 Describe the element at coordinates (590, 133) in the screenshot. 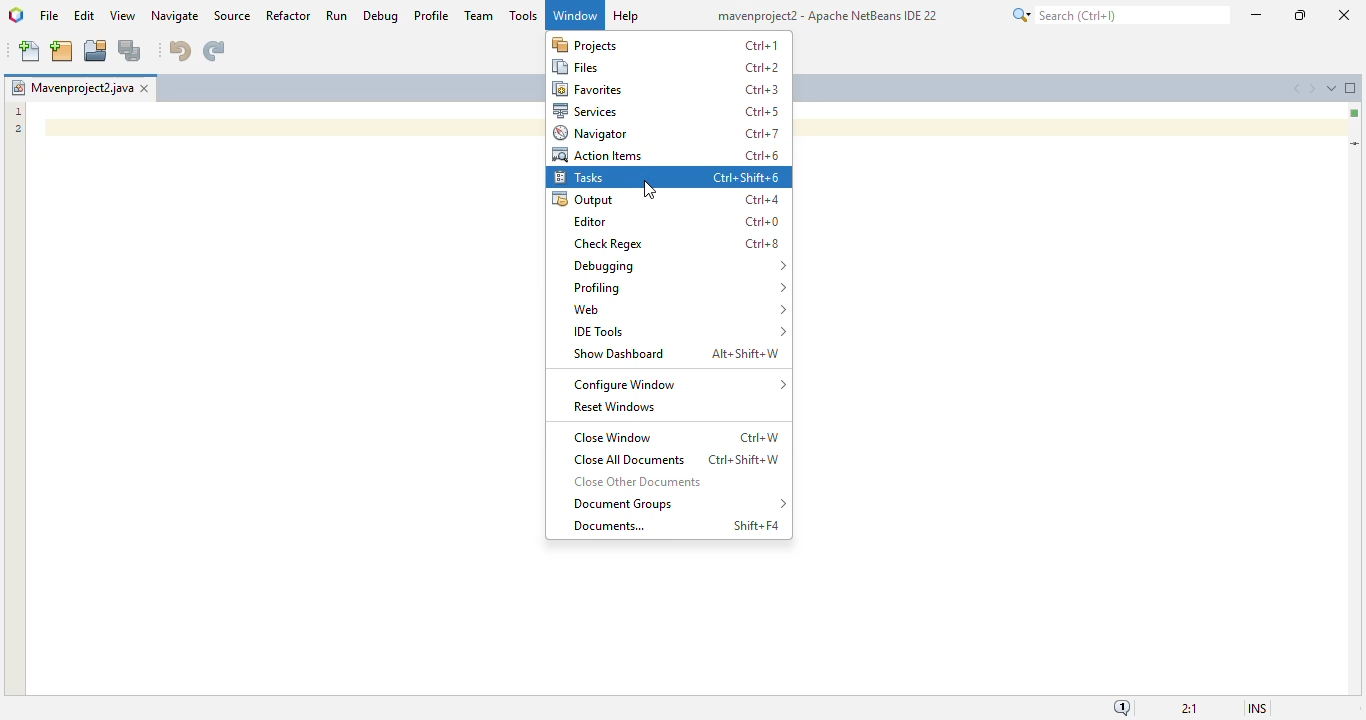

I see `navigator` at that location.